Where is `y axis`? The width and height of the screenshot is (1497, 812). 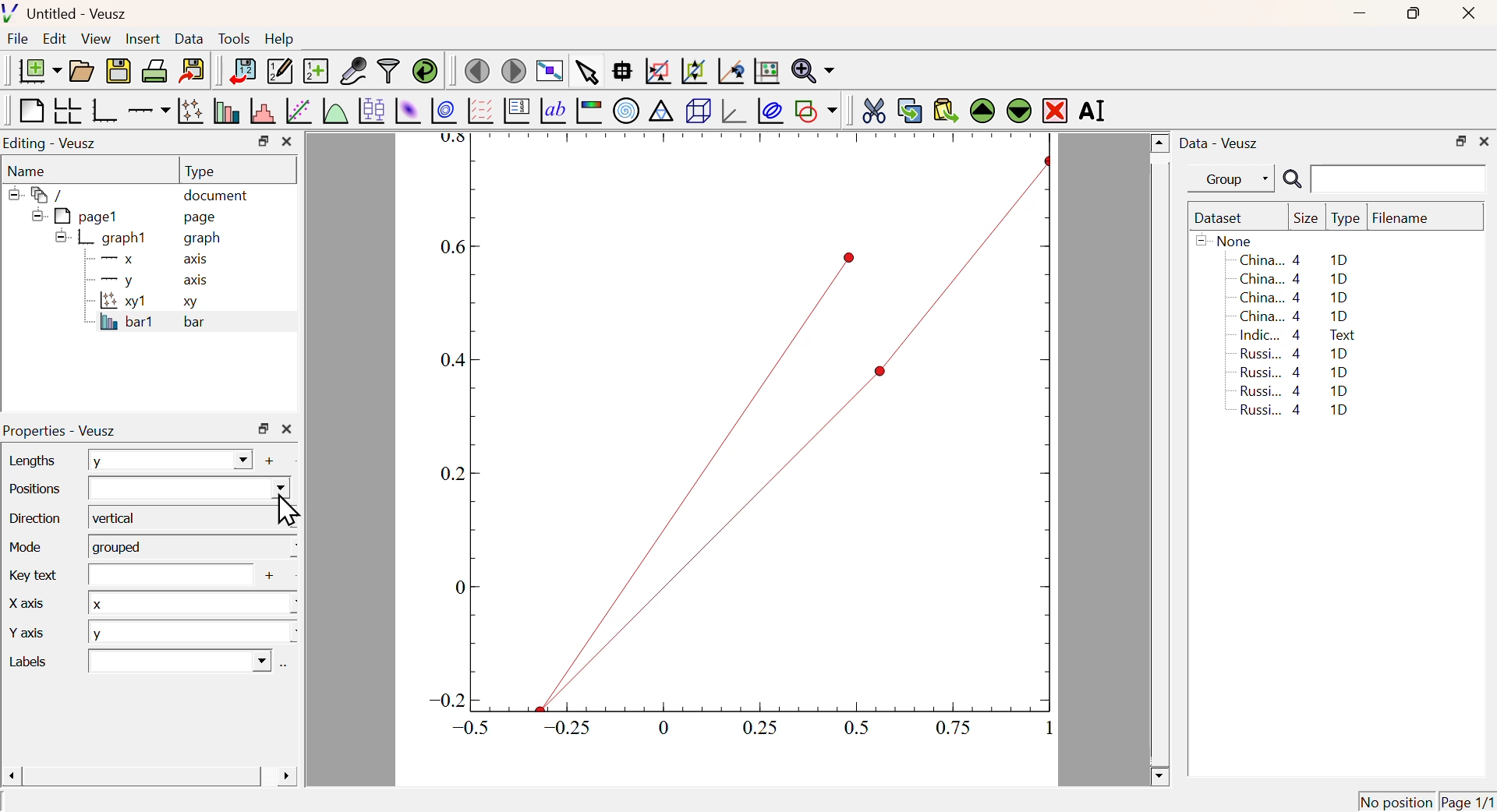 y axis is located at coordinates (147, 280).